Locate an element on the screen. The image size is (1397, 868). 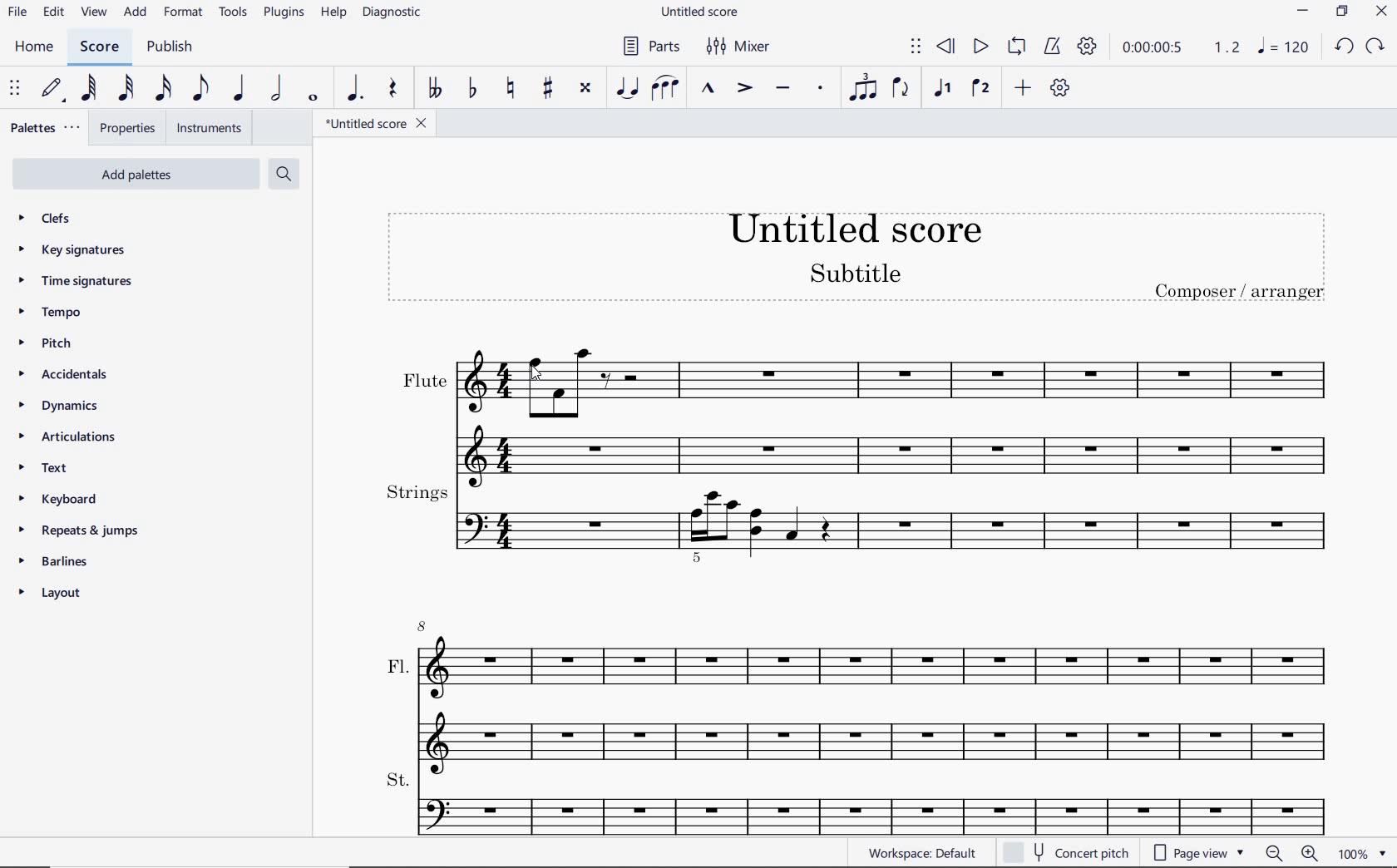
flute is located at coordinates (869, 406).